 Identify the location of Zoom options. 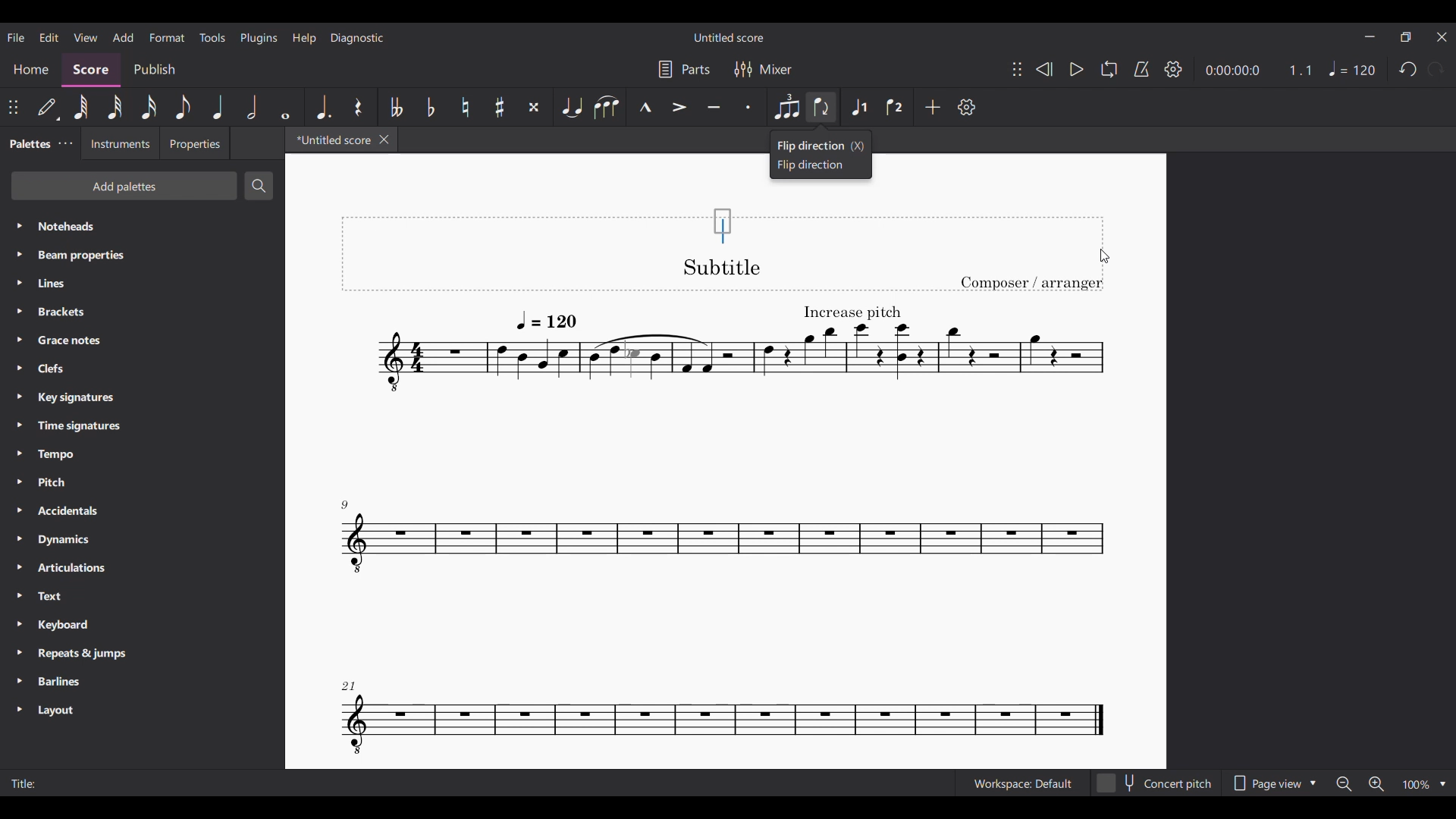
(1425, 784).